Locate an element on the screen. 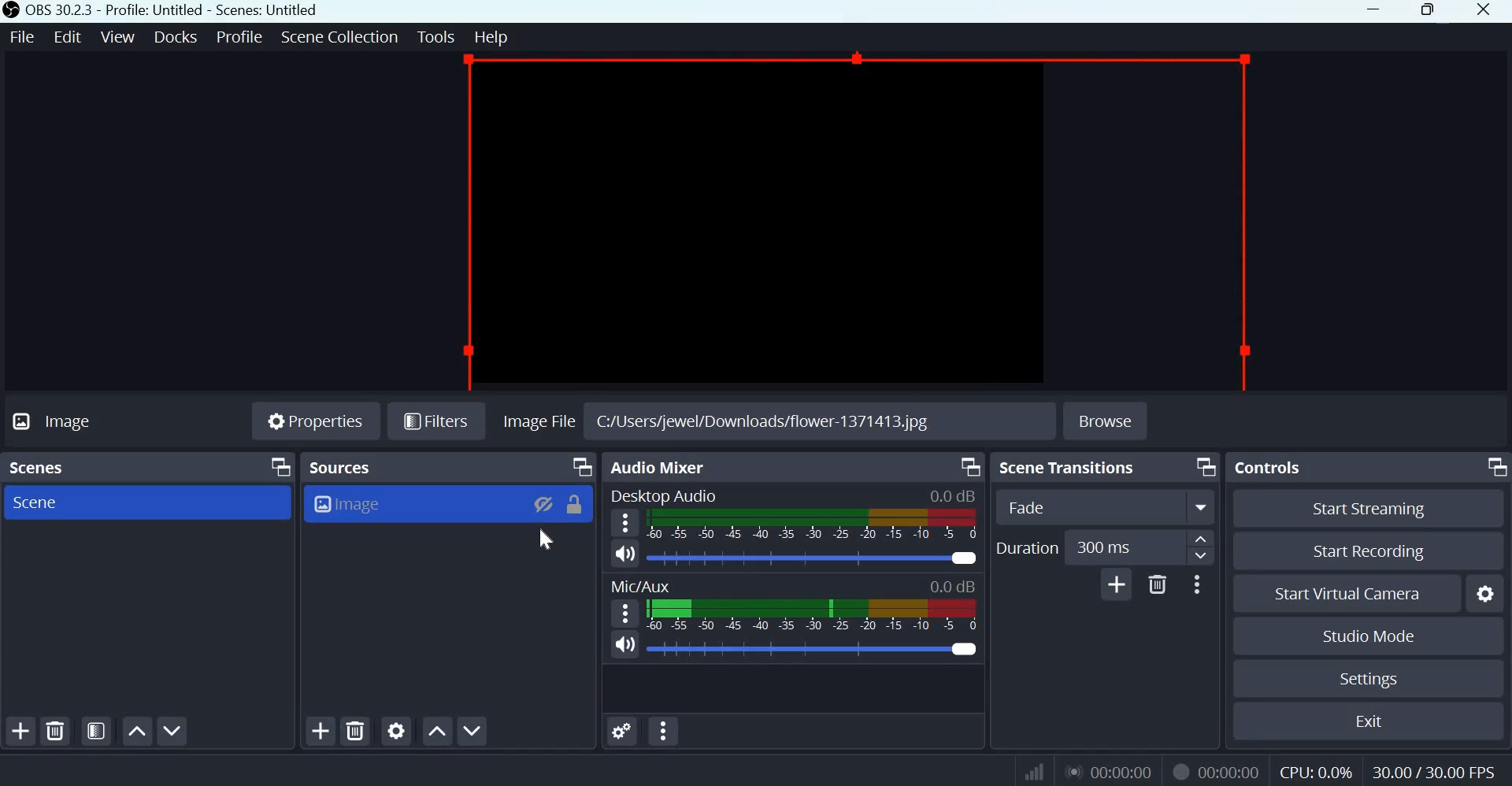 This screenshot has width=1512, height=786. File is located at coordinates (21, 36).